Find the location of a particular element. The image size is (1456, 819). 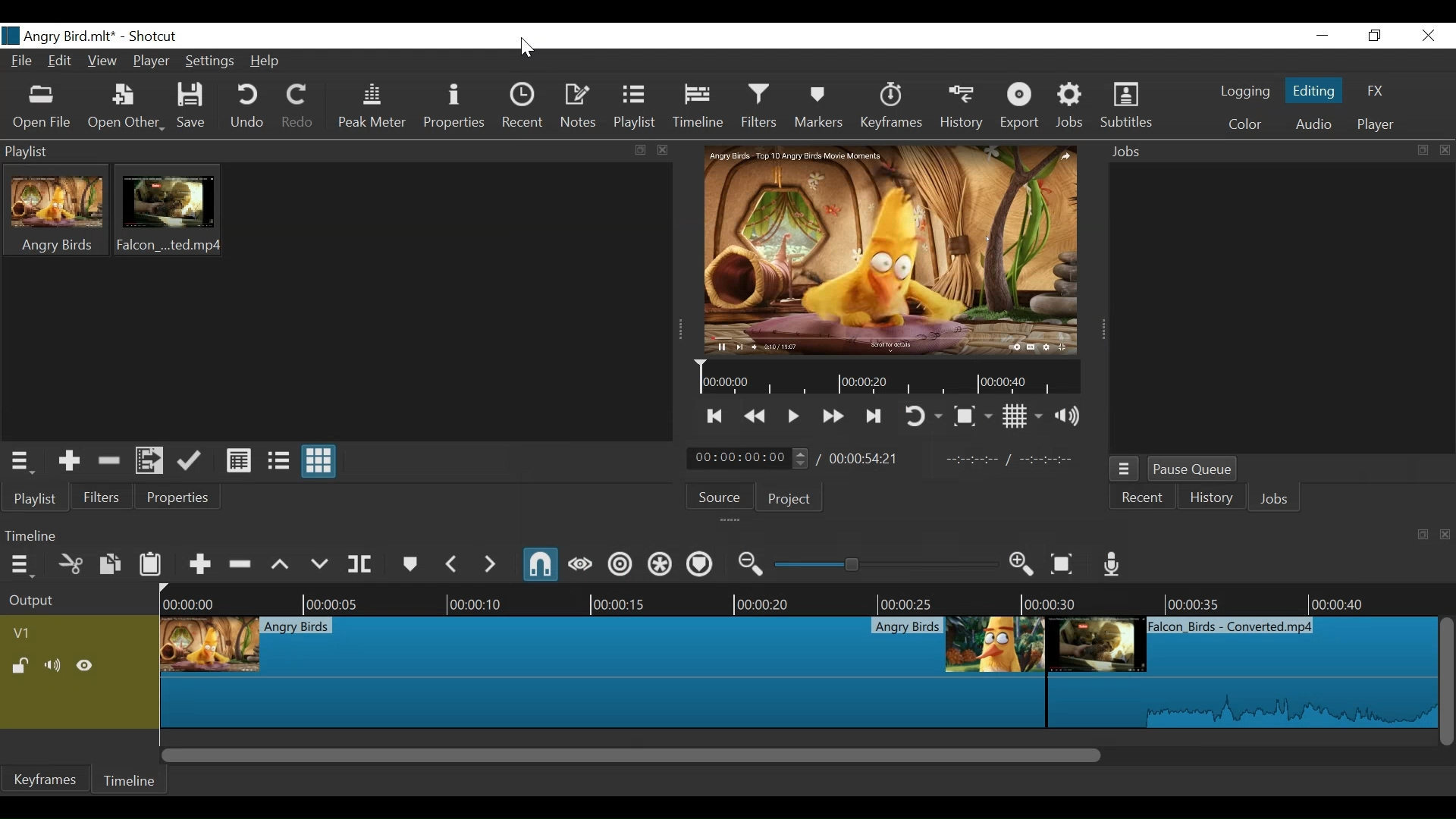

(un)lock track is located at coordinates (20, 666).